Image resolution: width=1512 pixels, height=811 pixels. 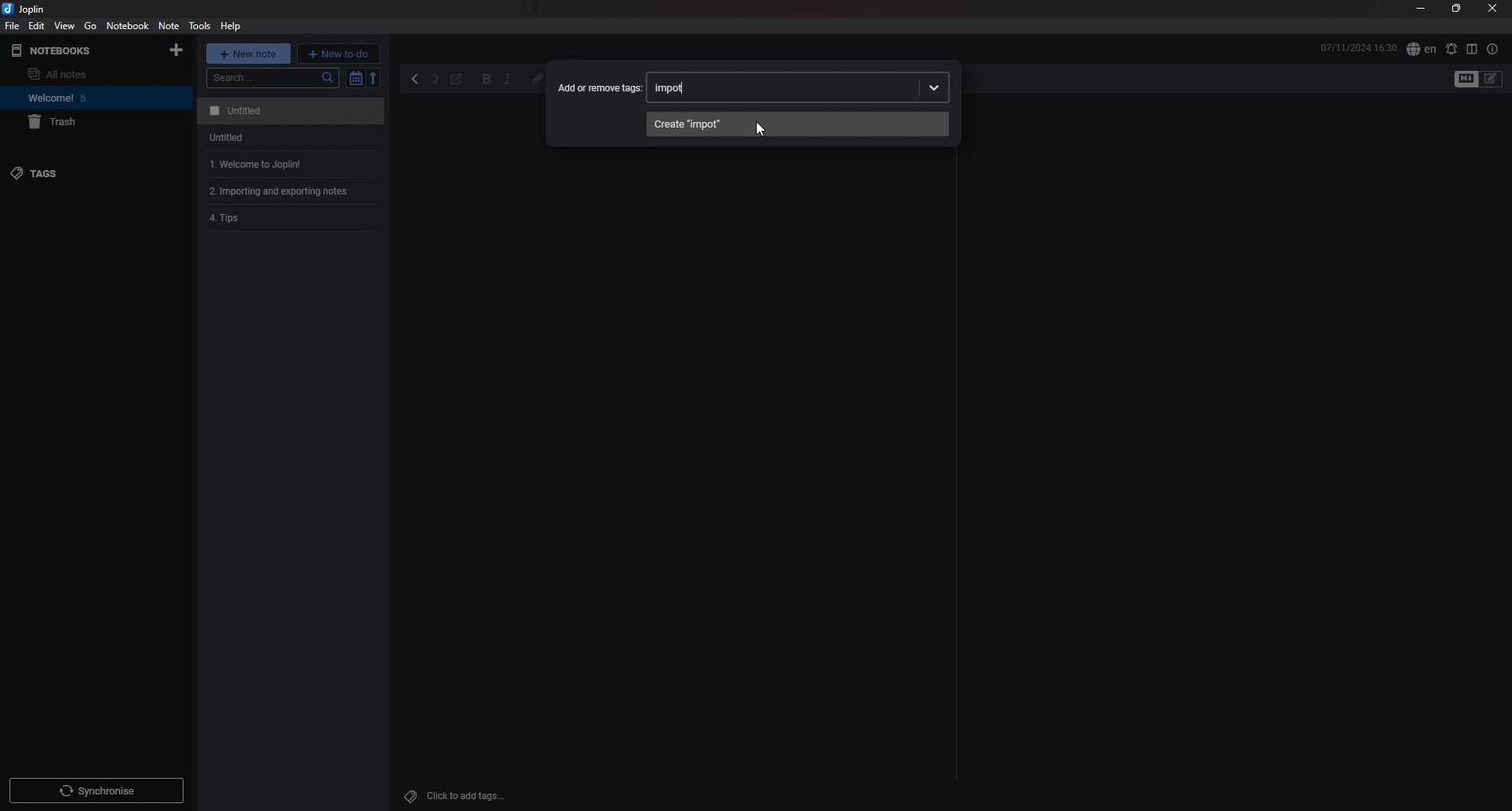 I want to click on notebook, so click(x=80, y=98).